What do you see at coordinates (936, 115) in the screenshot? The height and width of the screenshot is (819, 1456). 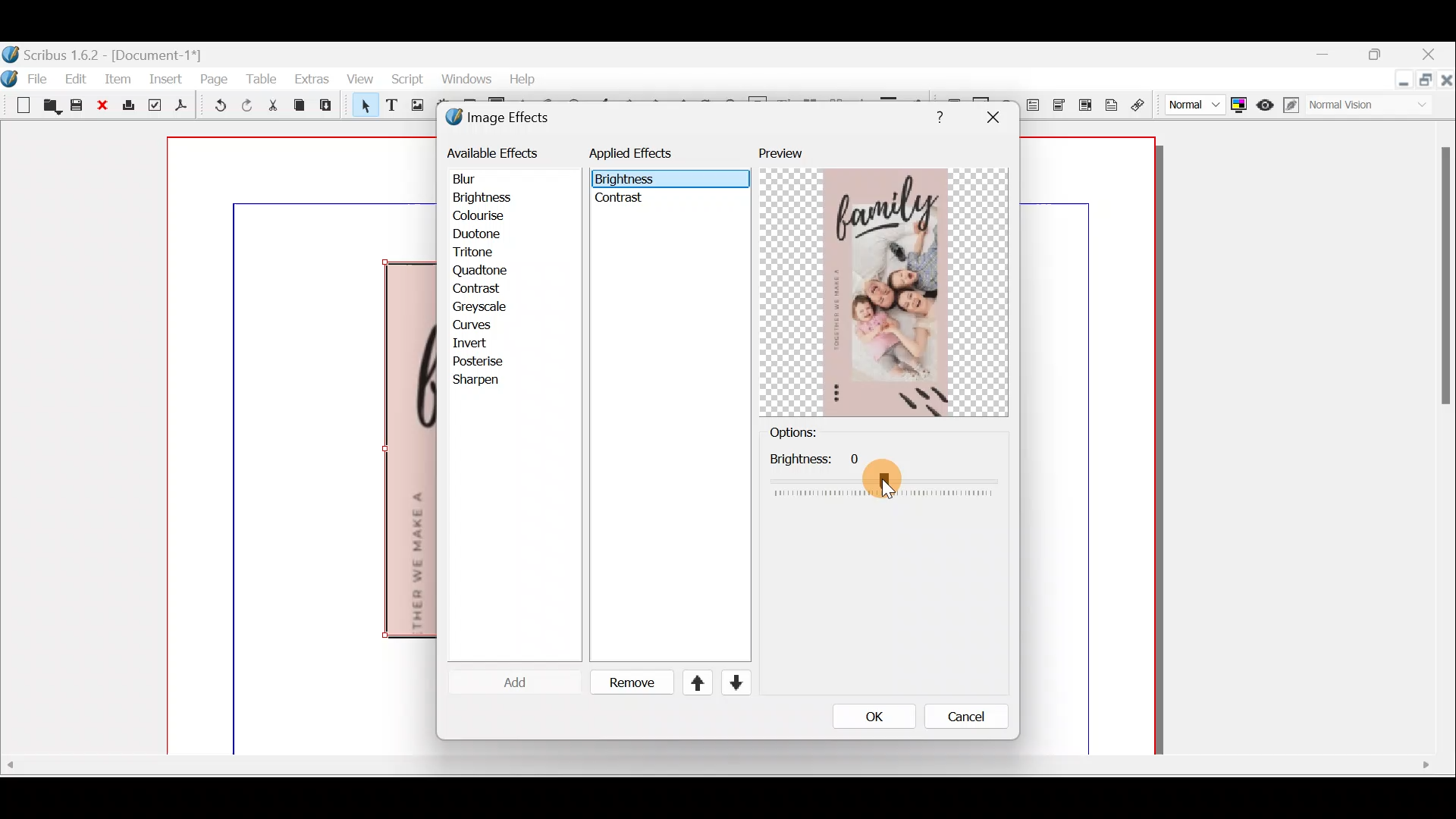 I see `` at bounding box center [936, 115].